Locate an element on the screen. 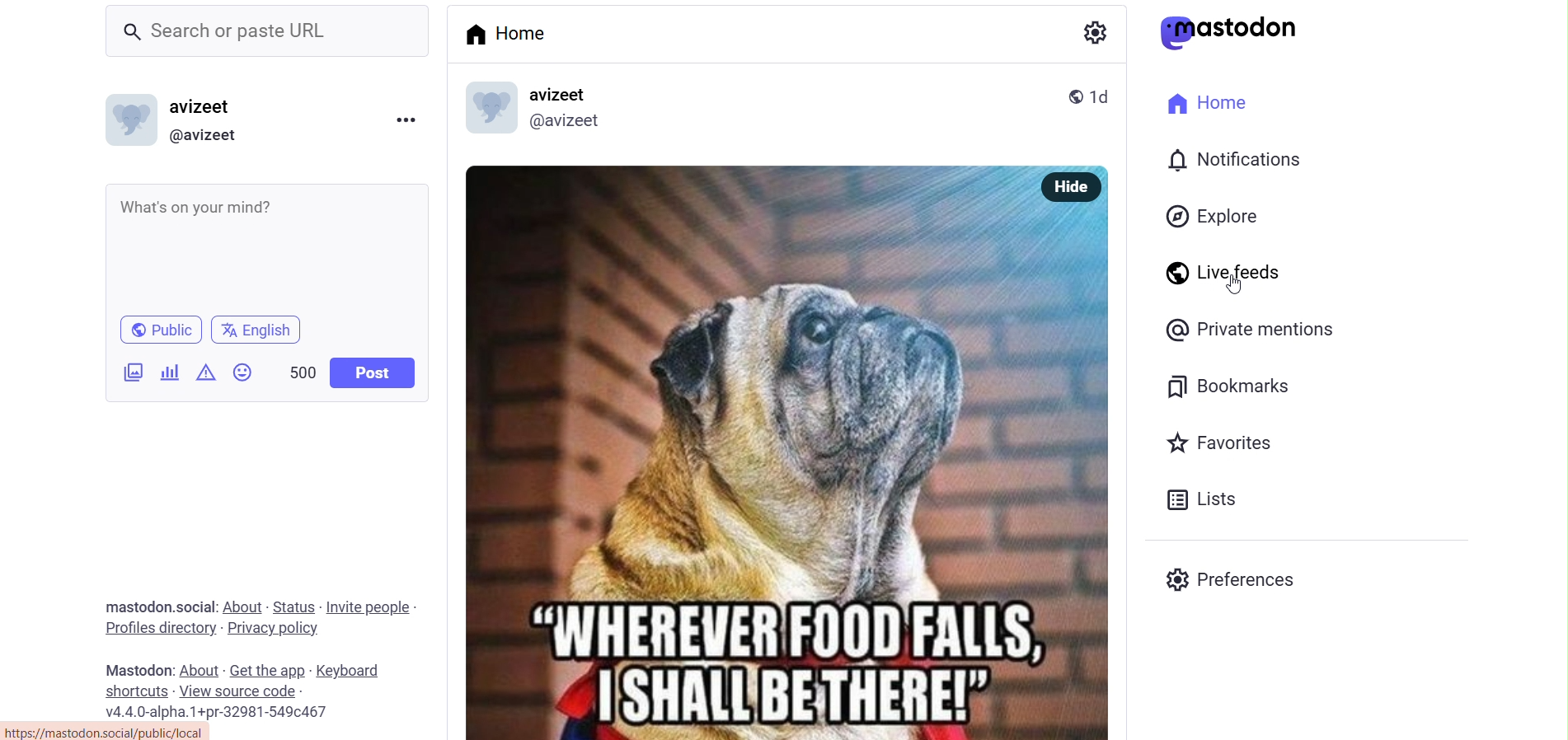 This screenshot has height=740, width=1568. lists is located at coordinates (1203, 501).